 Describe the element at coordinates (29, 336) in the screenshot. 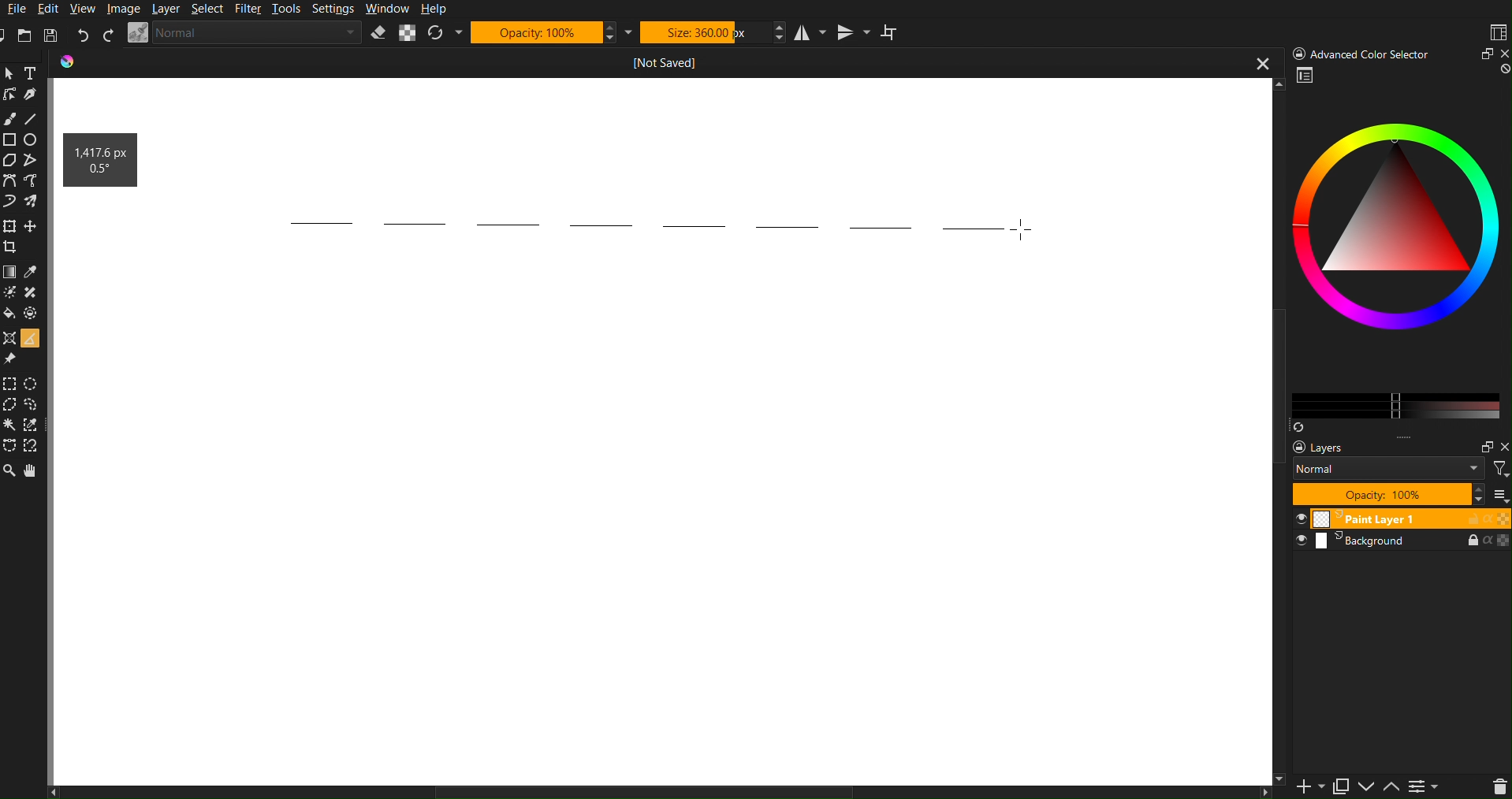

I see `Ruler Tool` at that location.